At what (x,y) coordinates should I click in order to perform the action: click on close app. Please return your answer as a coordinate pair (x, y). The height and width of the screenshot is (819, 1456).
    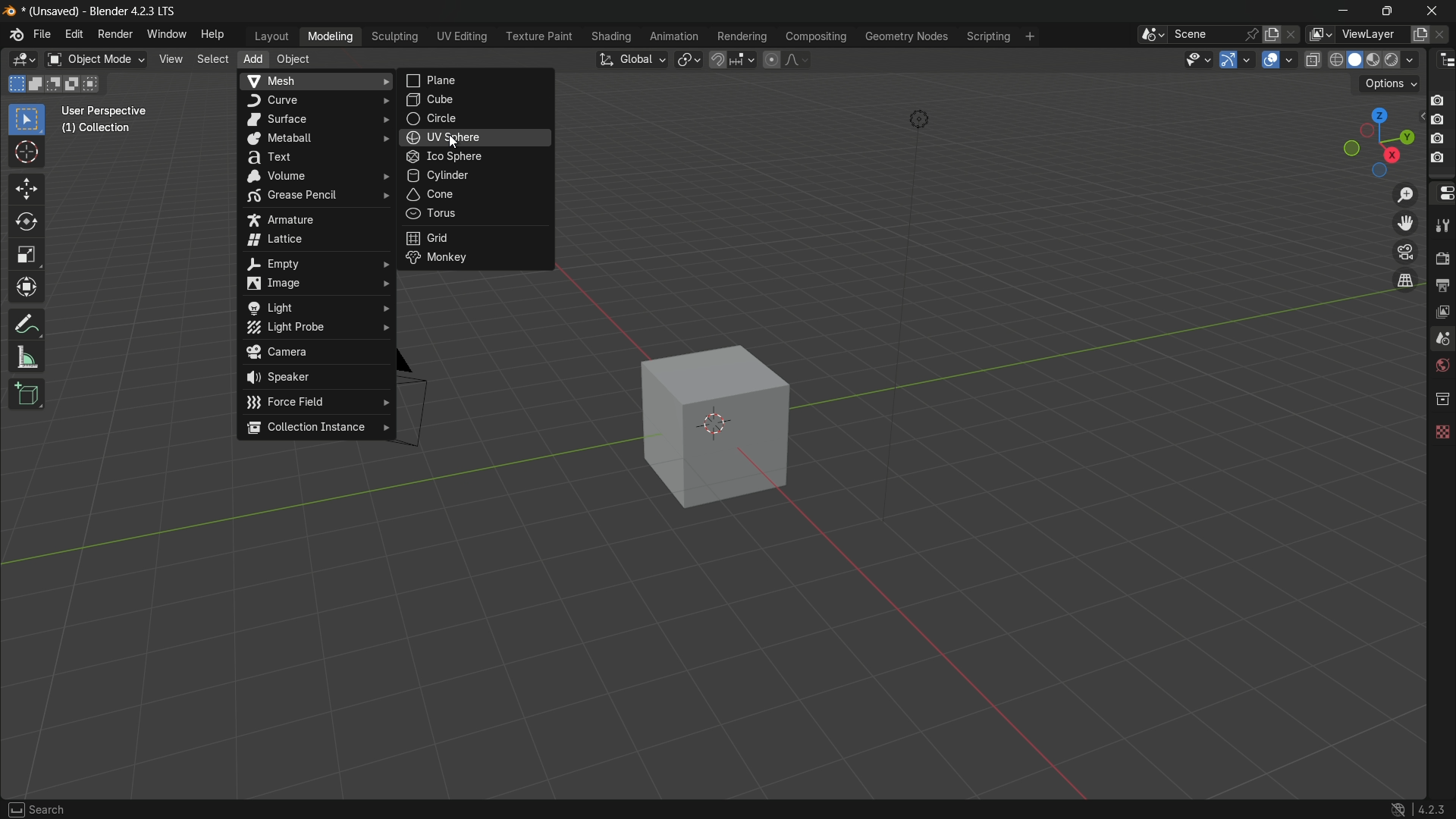
    Looking at the image, I should click on (1435, 11).